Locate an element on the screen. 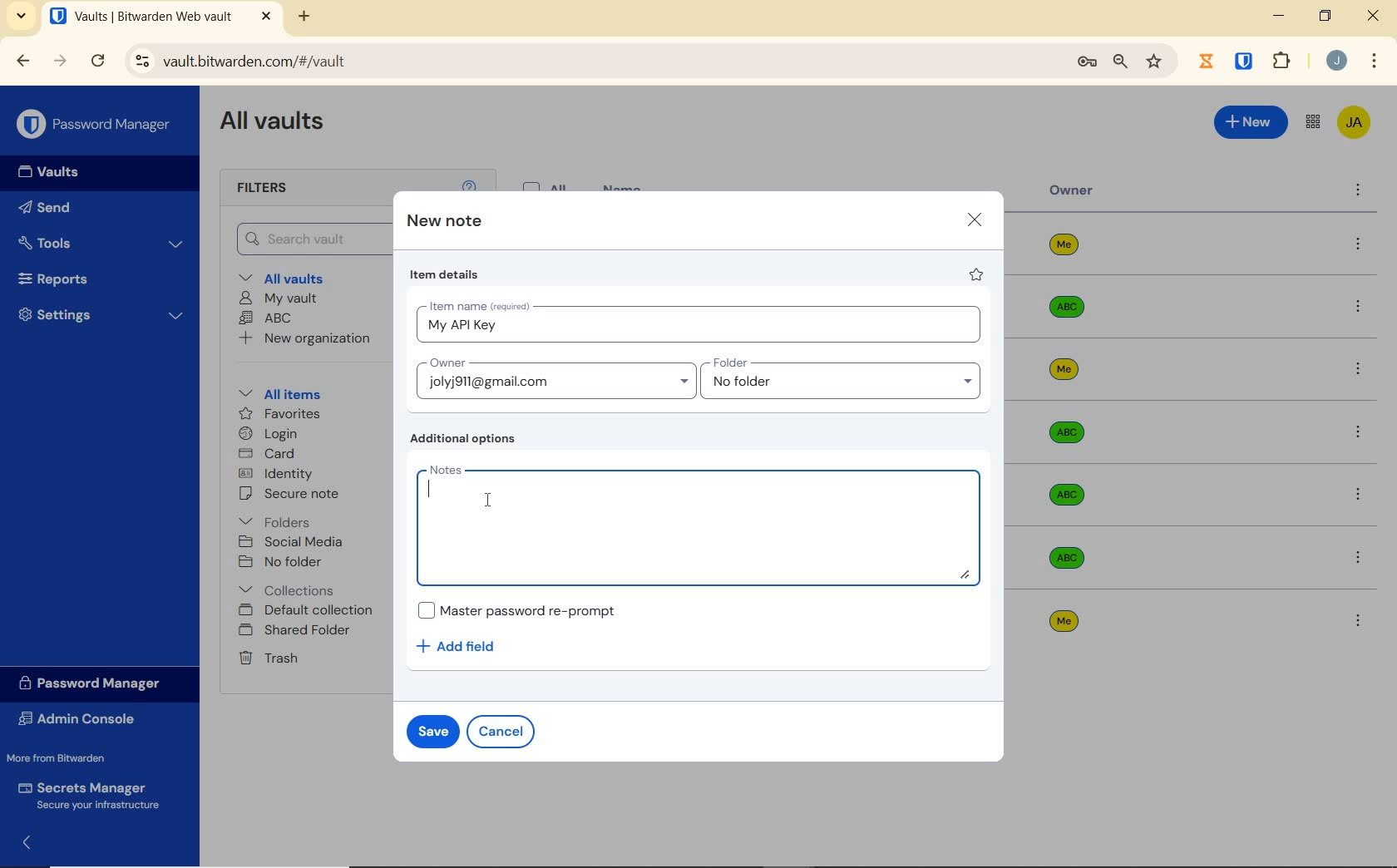  My Vault is located at coordinates (280, 298).